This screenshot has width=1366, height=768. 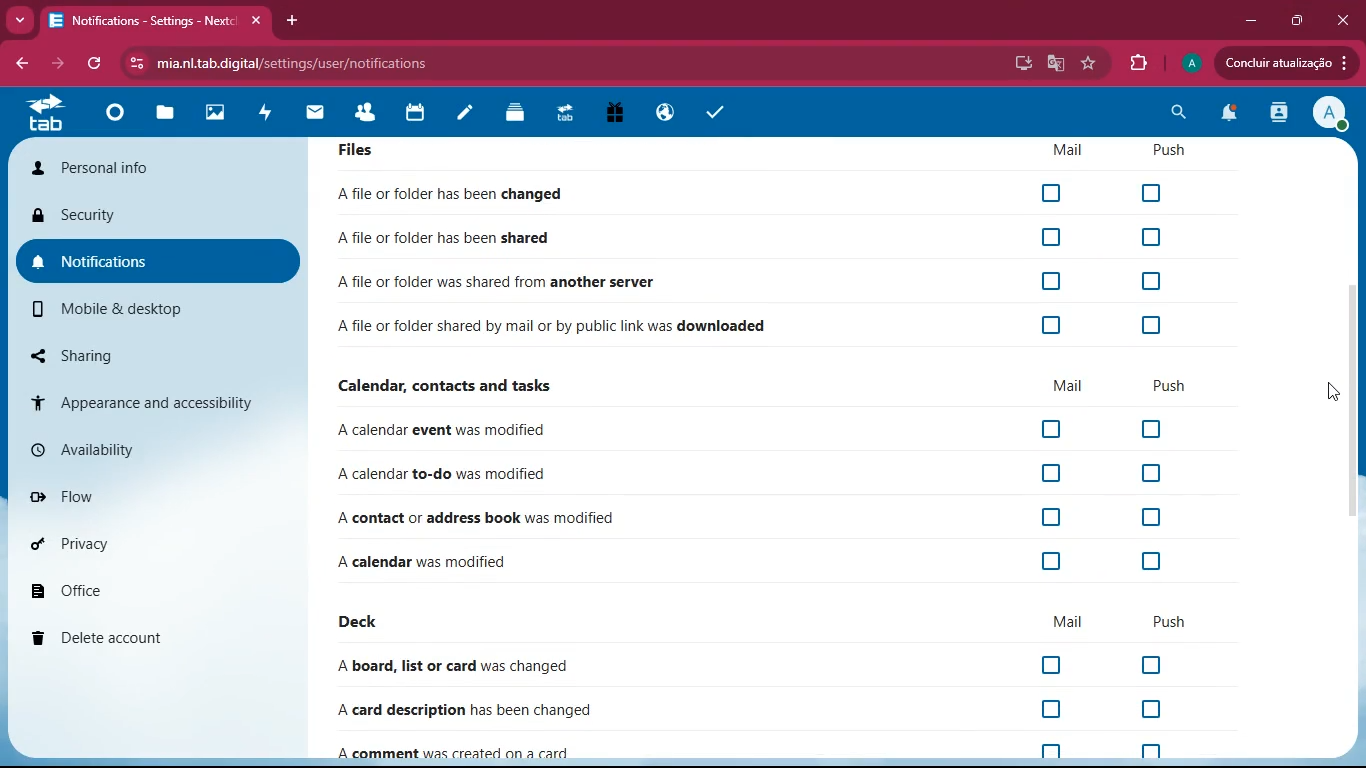 What do you see at coordinates (1356, 402) in the screenshot?
I see `scroll bar` at bounding box center [1356, 402].